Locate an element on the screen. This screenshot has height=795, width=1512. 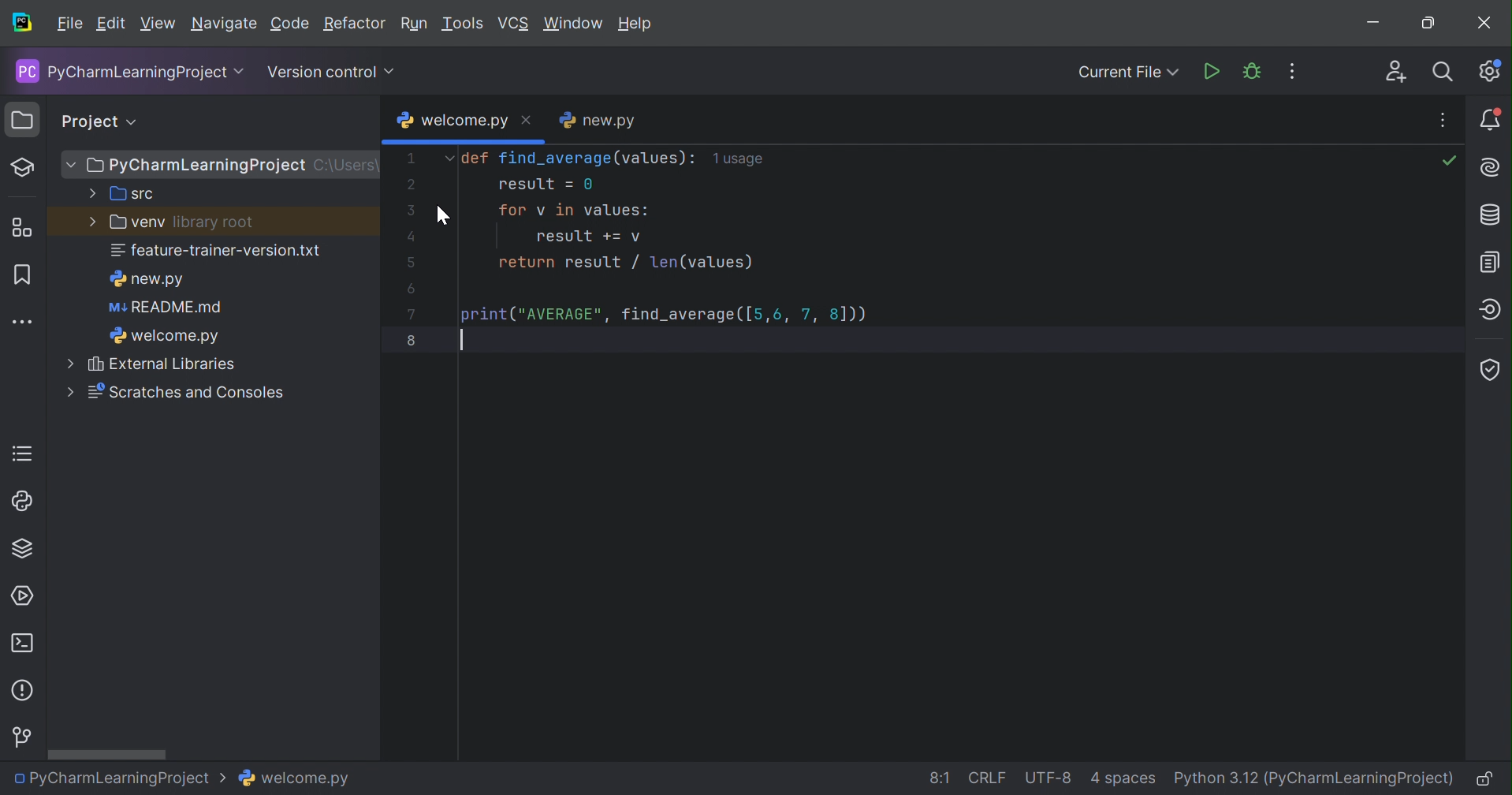
More tool windows is located at coordinates (24, 323).